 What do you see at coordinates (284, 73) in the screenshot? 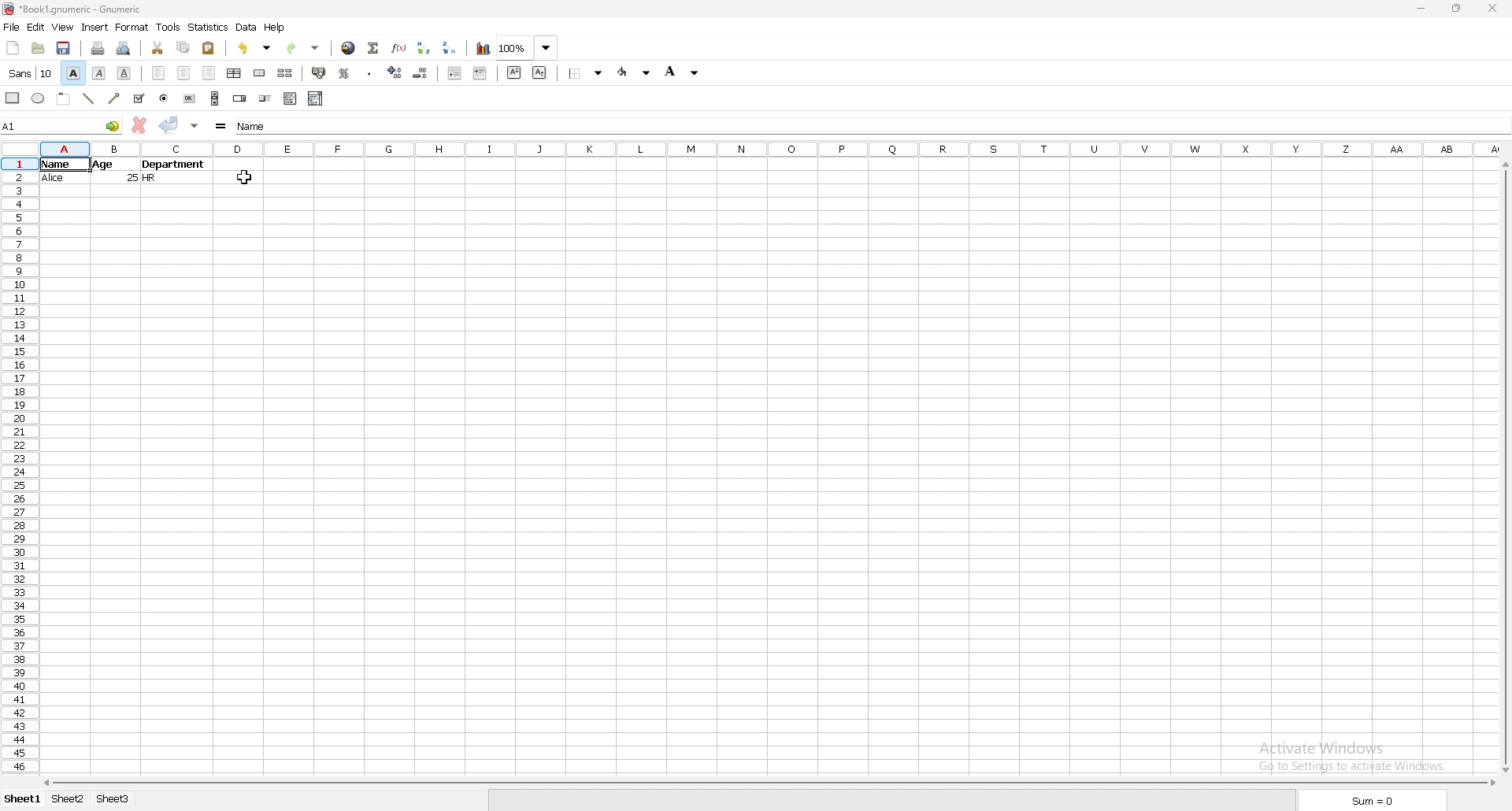
I see `split merged cells` at bounding box center [284, 73].